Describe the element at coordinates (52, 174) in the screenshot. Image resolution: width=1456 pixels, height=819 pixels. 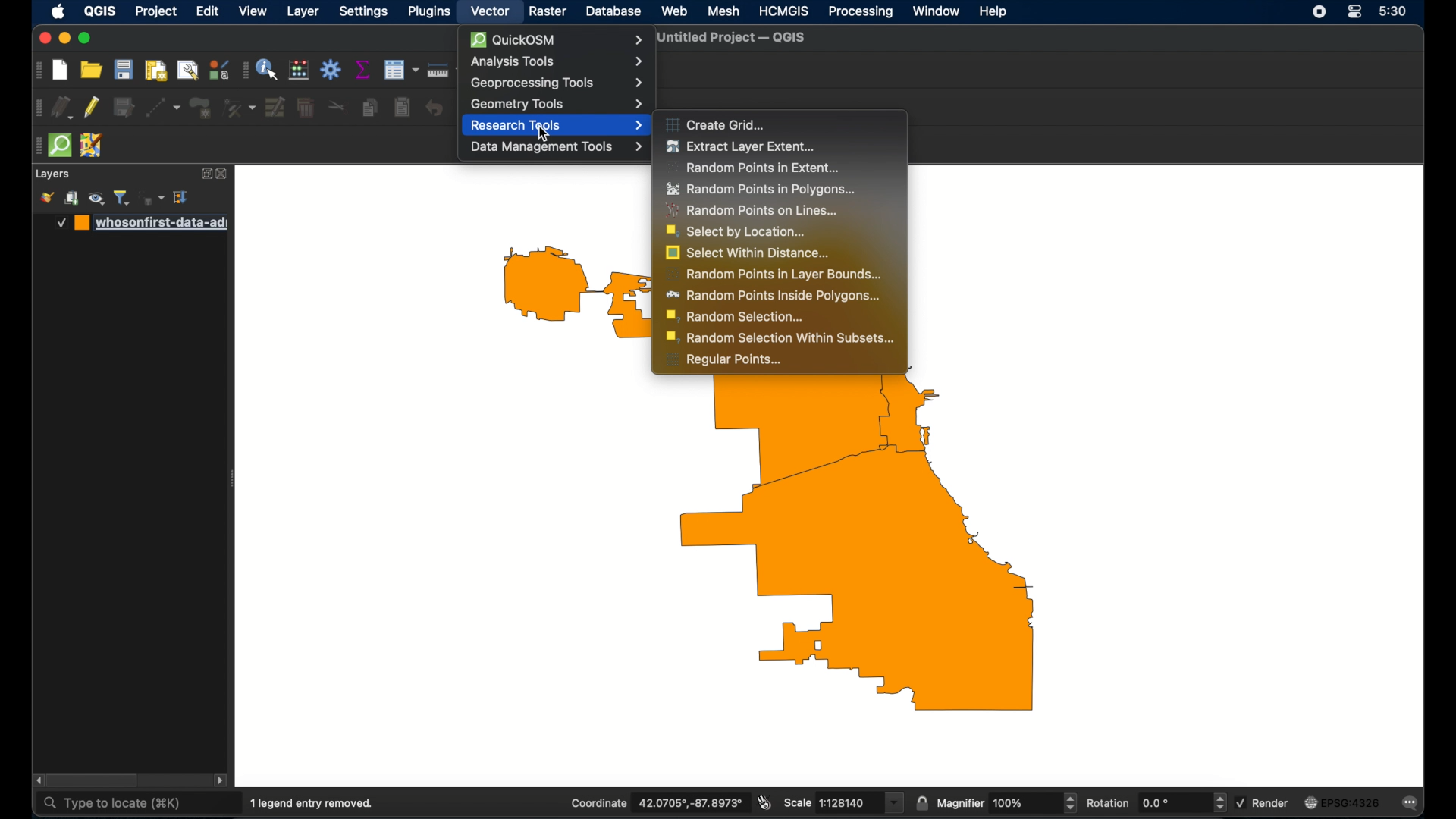
I see `layers` at that location.